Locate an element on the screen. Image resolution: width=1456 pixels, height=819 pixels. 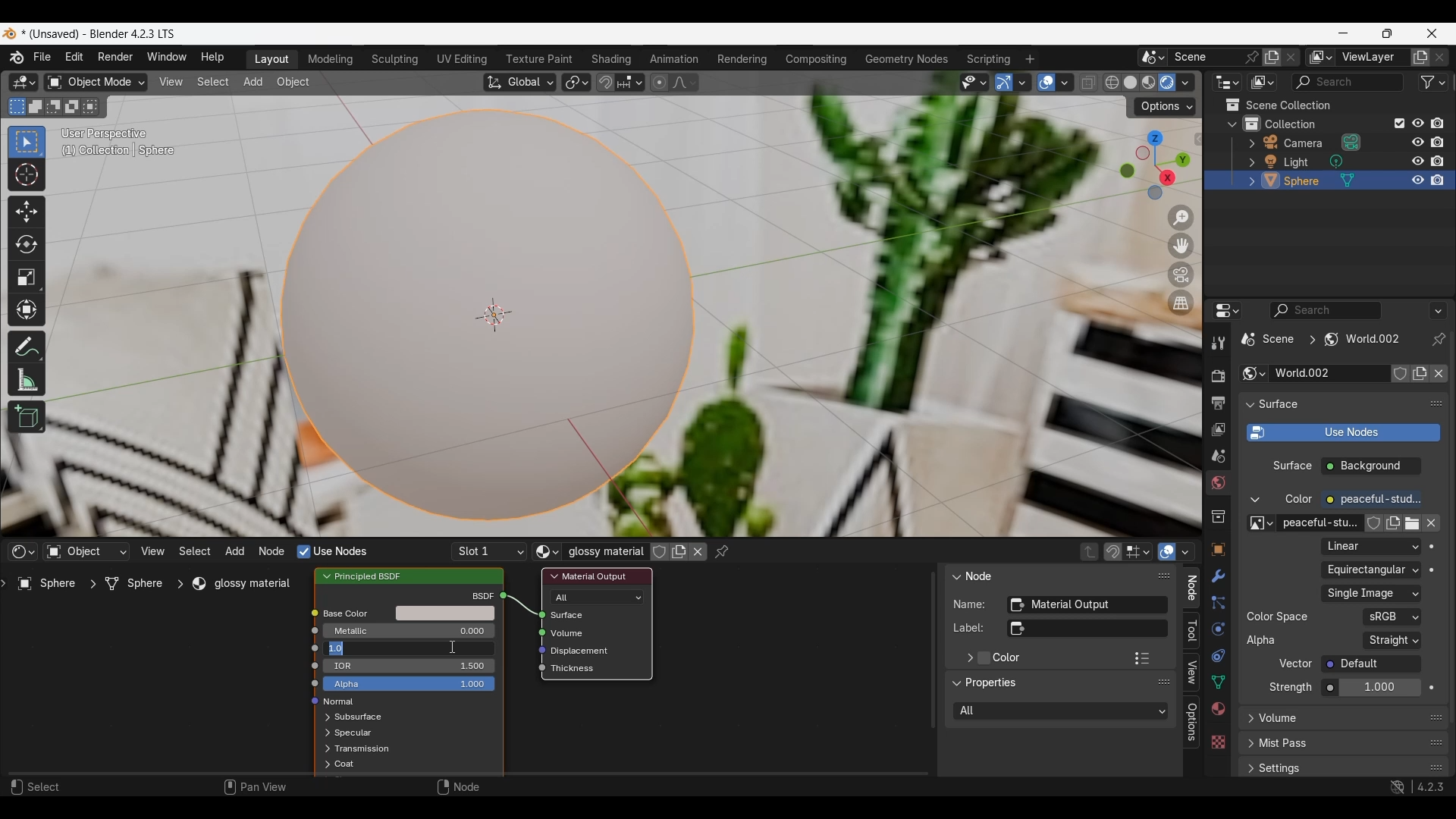
Show gizmo is located at coordinates (1003, 83).